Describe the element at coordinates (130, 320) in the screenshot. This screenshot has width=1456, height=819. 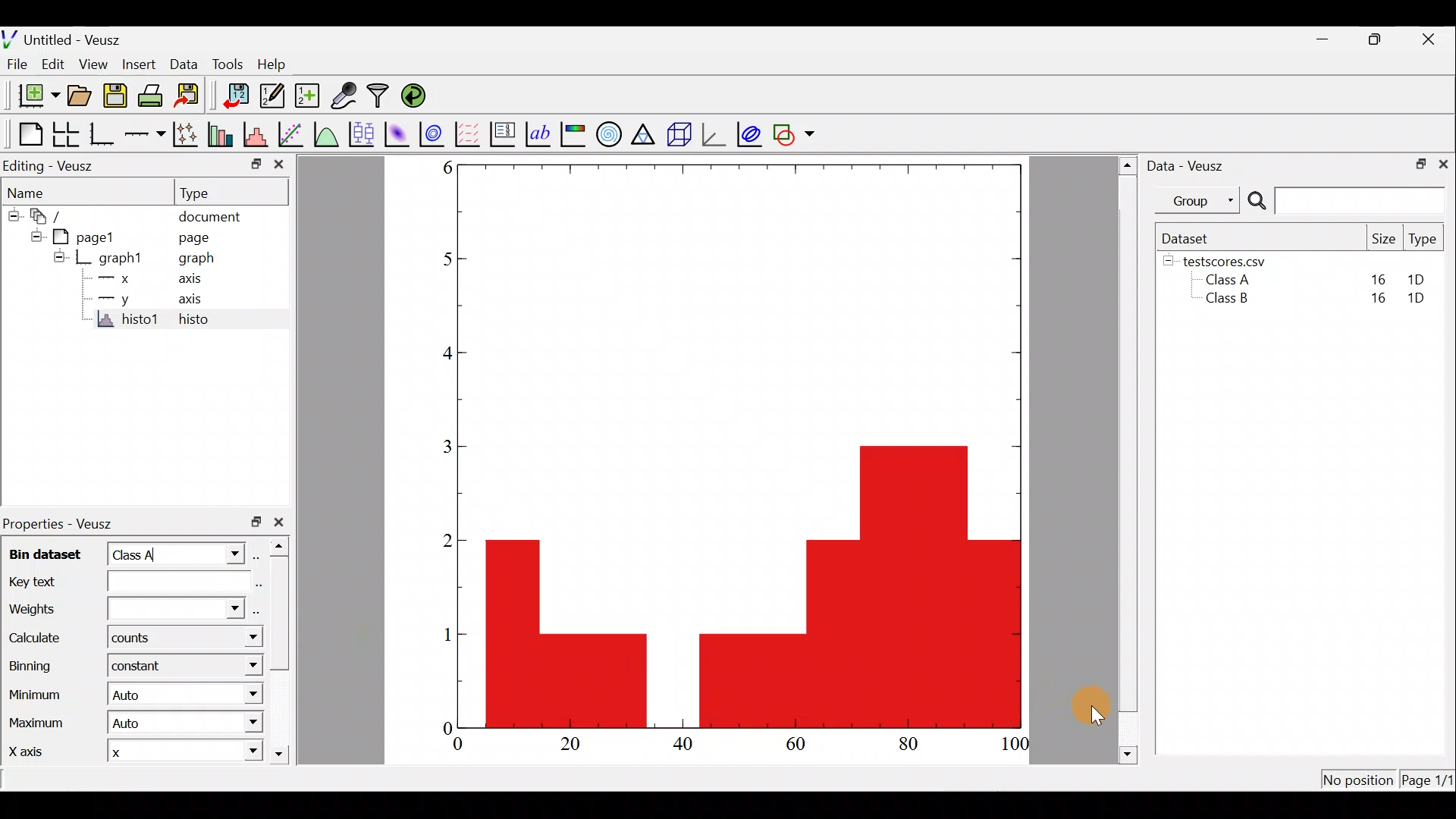
I see `histo1` at that location.